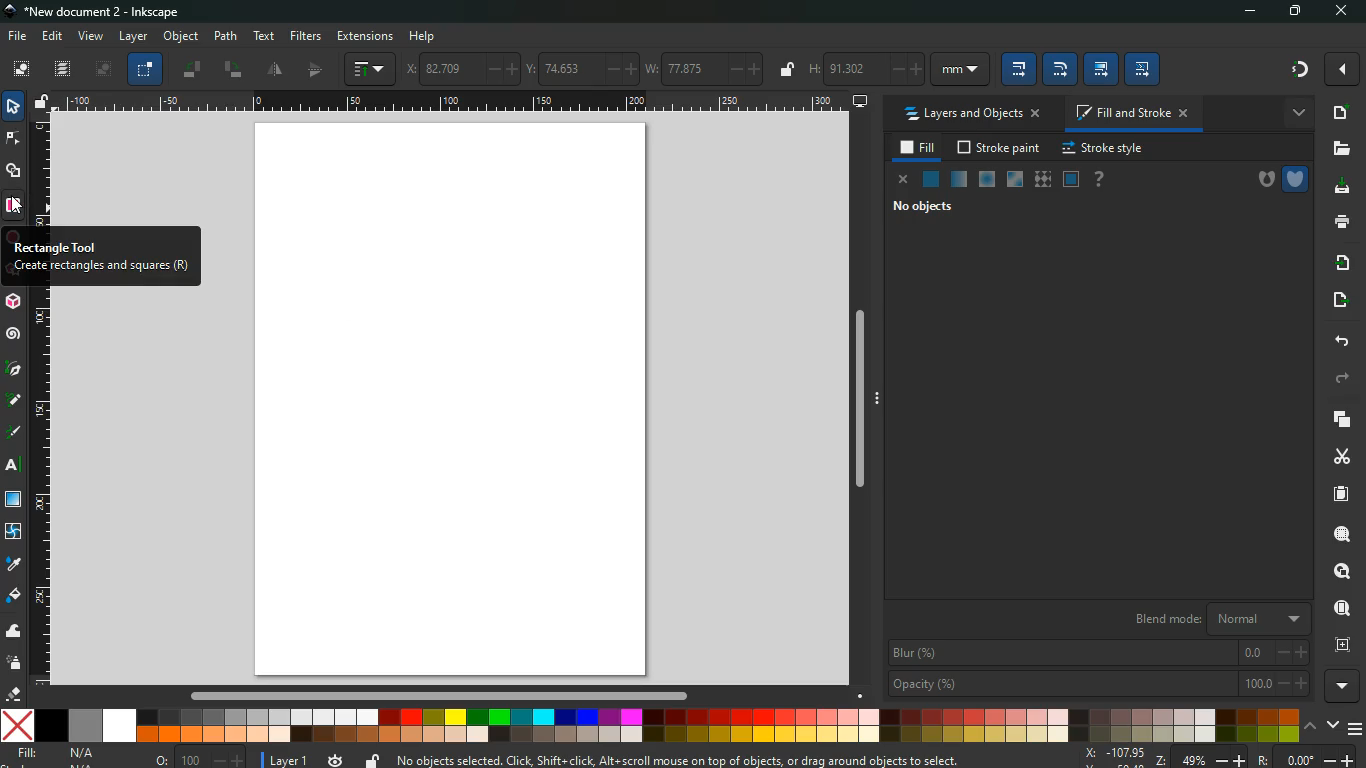  What do you see at coordinates (16, 206) in the screenshot?
I see `cursor` at bounding box center [16, 206].